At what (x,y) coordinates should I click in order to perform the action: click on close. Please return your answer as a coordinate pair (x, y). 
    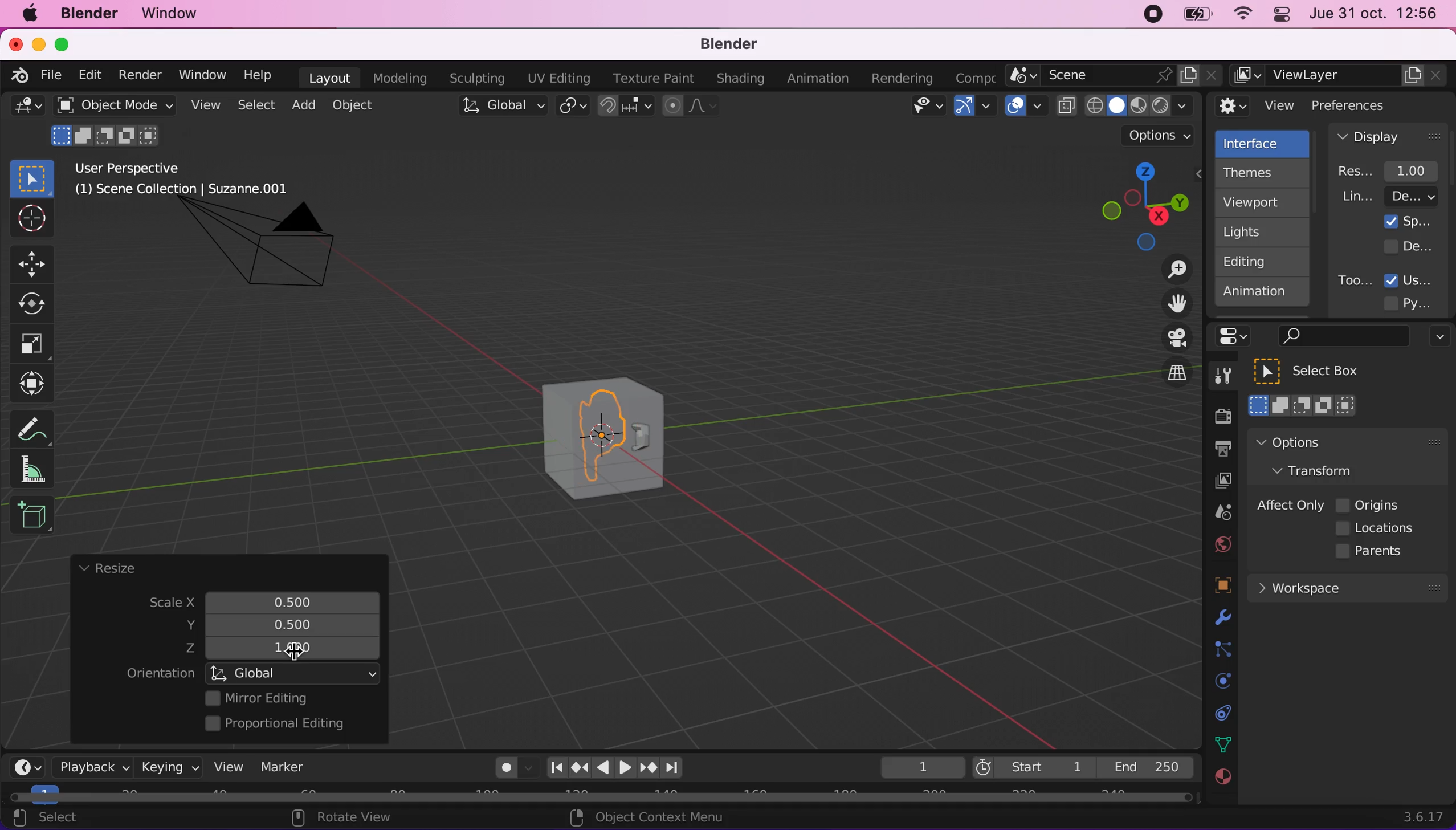
    Looking at the image, I should click on (15, 43).